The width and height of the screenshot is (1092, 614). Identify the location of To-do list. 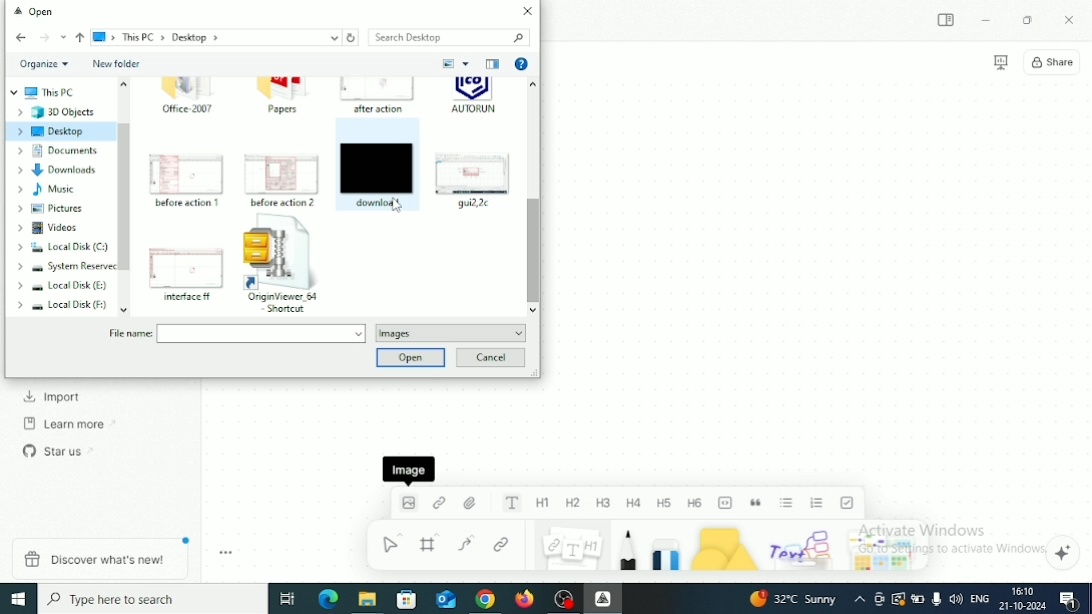
(849, 502).